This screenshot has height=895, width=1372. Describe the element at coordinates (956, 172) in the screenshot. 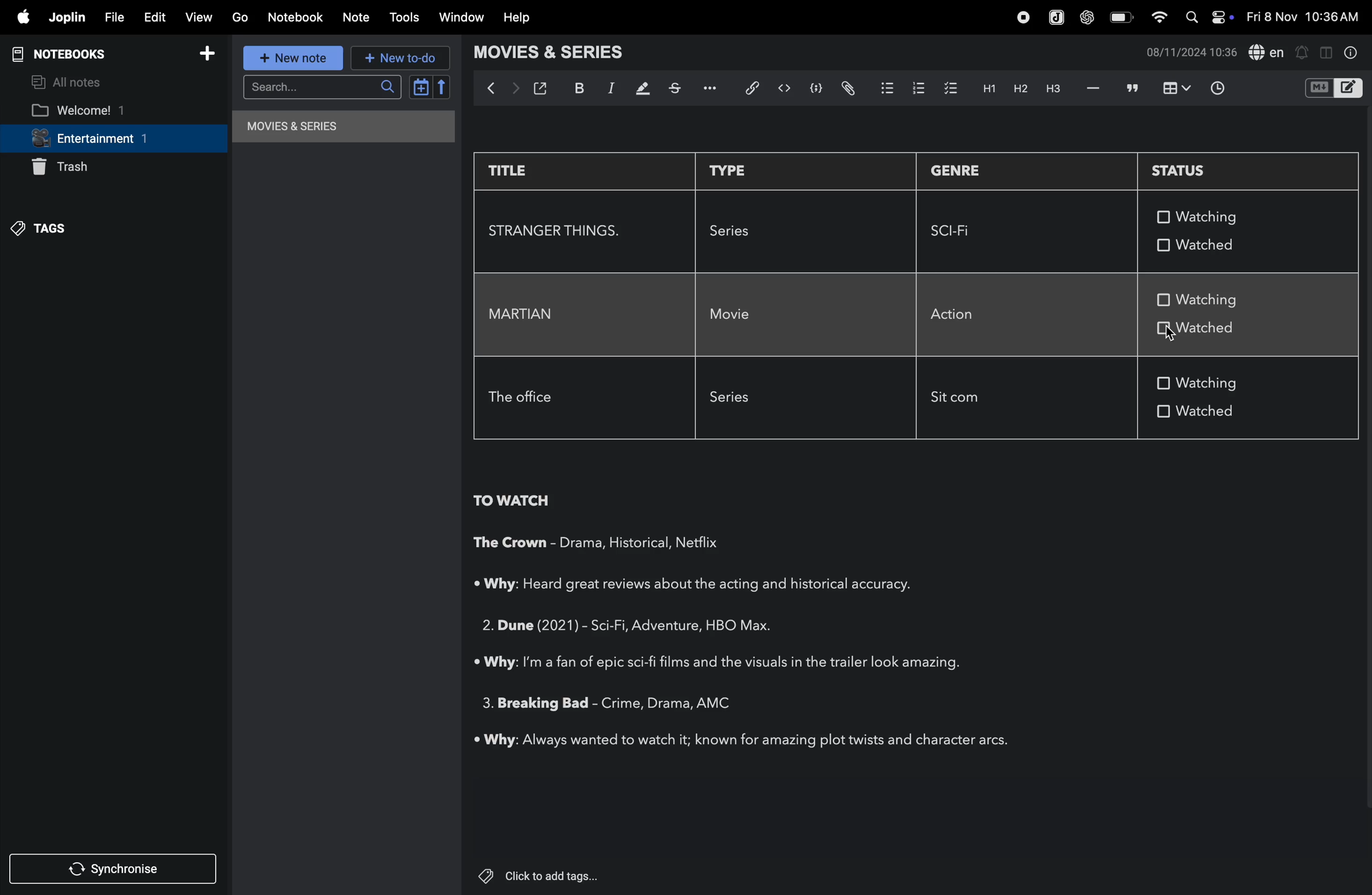

I see `genre` at that location.